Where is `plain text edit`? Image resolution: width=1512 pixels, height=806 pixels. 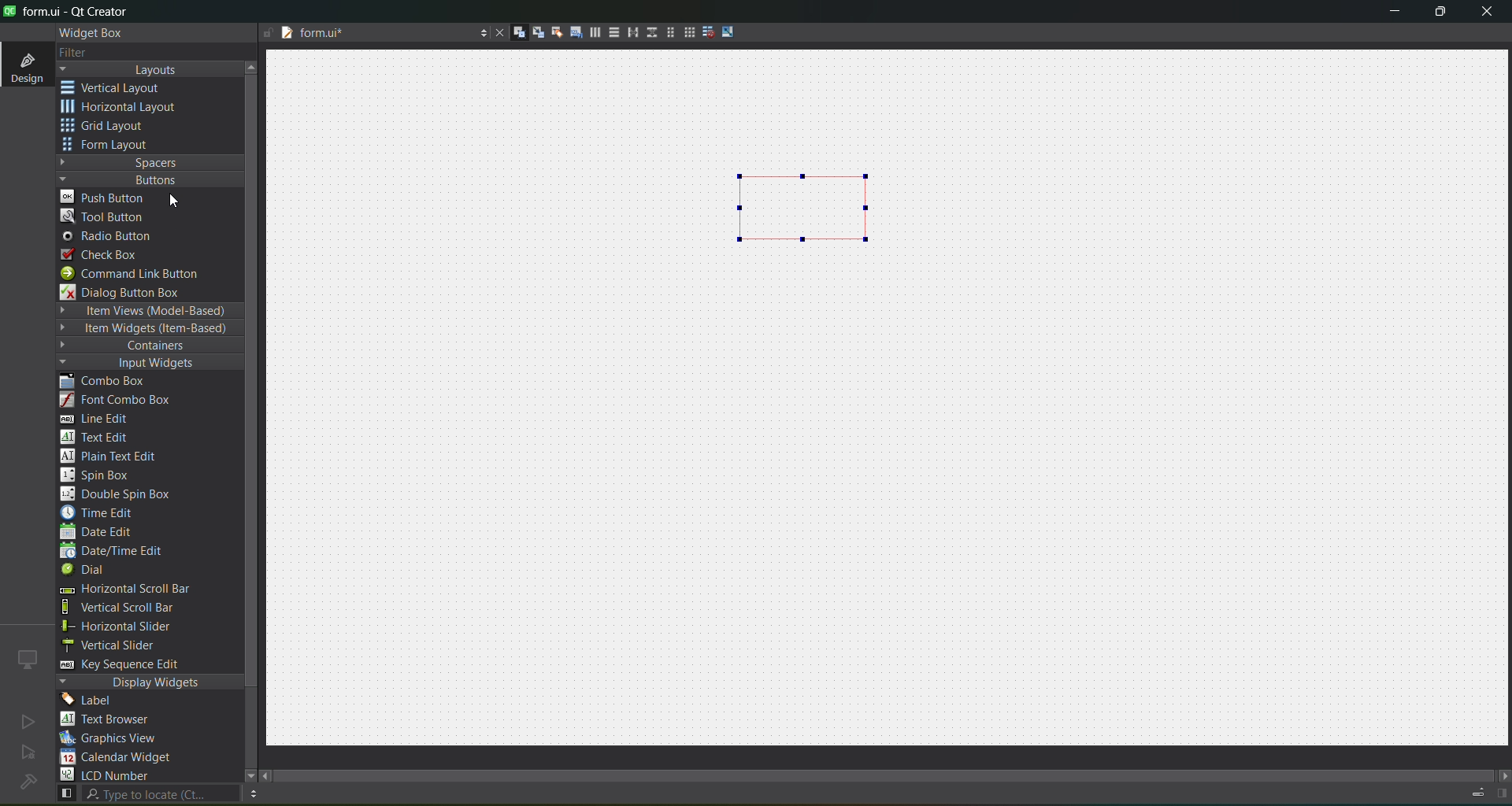
plain text edit is located at coordinates (115, 457).